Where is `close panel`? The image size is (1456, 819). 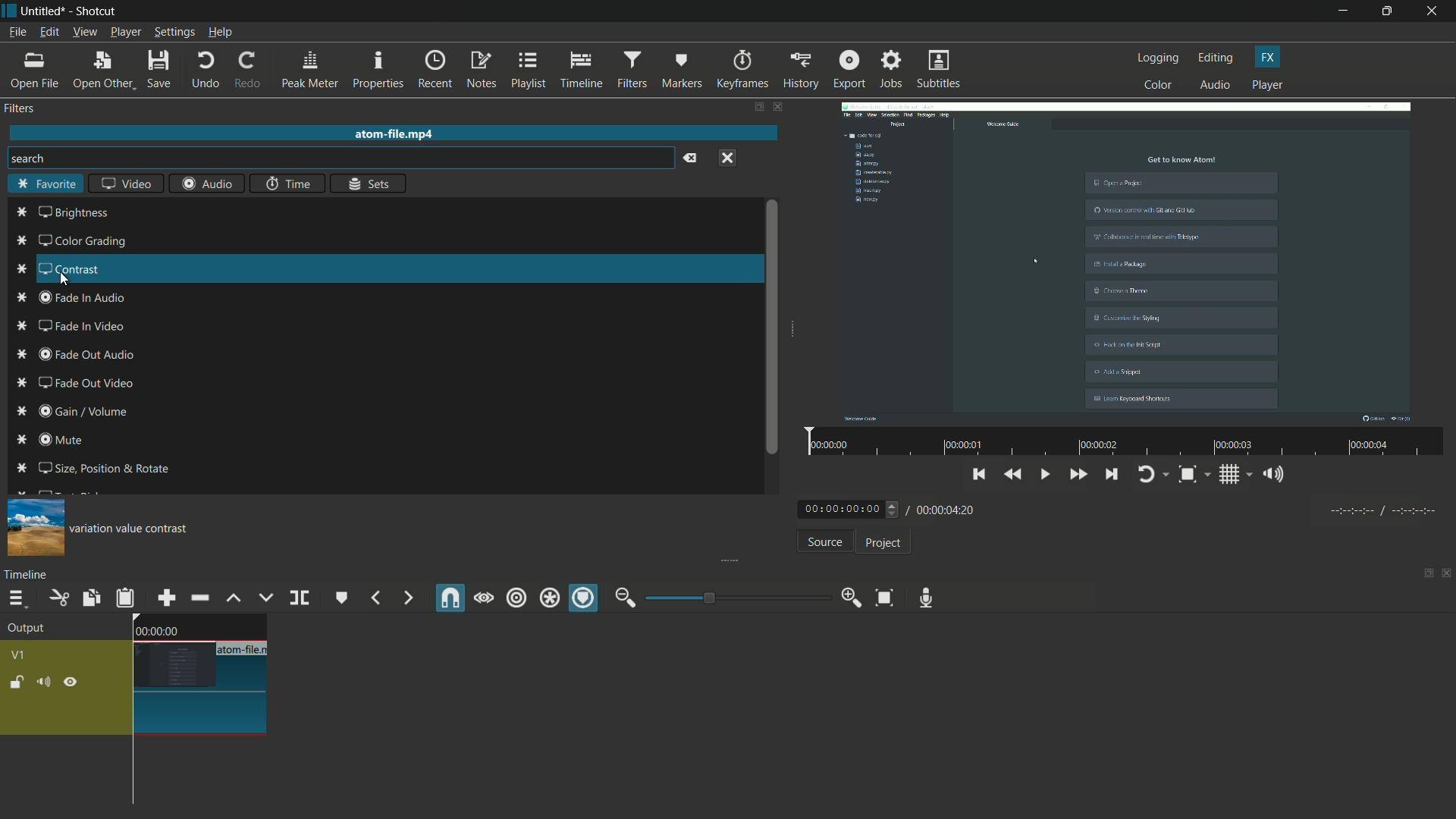
close panel is located at coordinates (1447, 575).